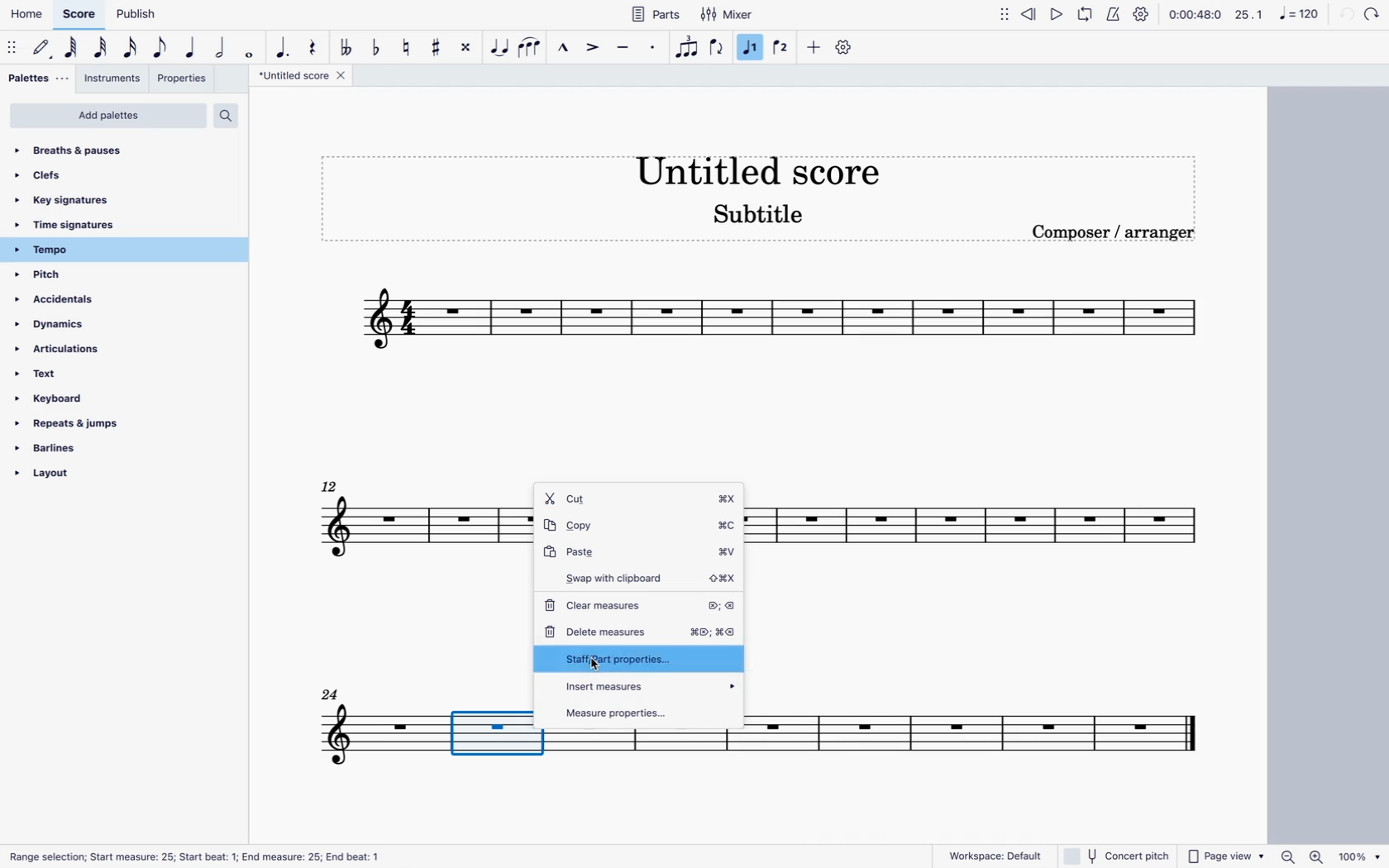 This screenshot has width=1389, height=868. I want to click on cut, so click(641, 498).